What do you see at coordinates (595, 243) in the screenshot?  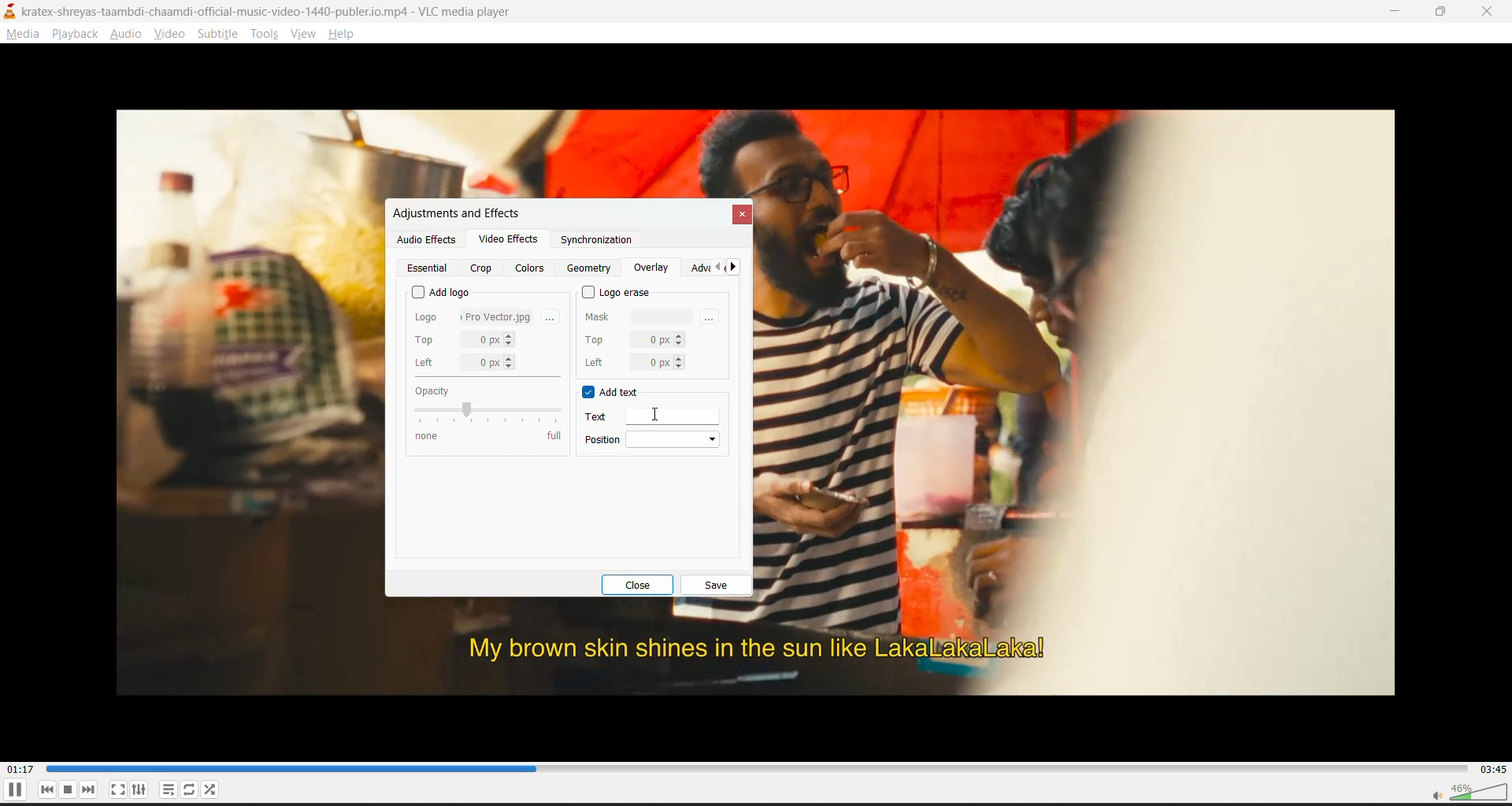 I see `synchronization` at bounding box center [595, 243].